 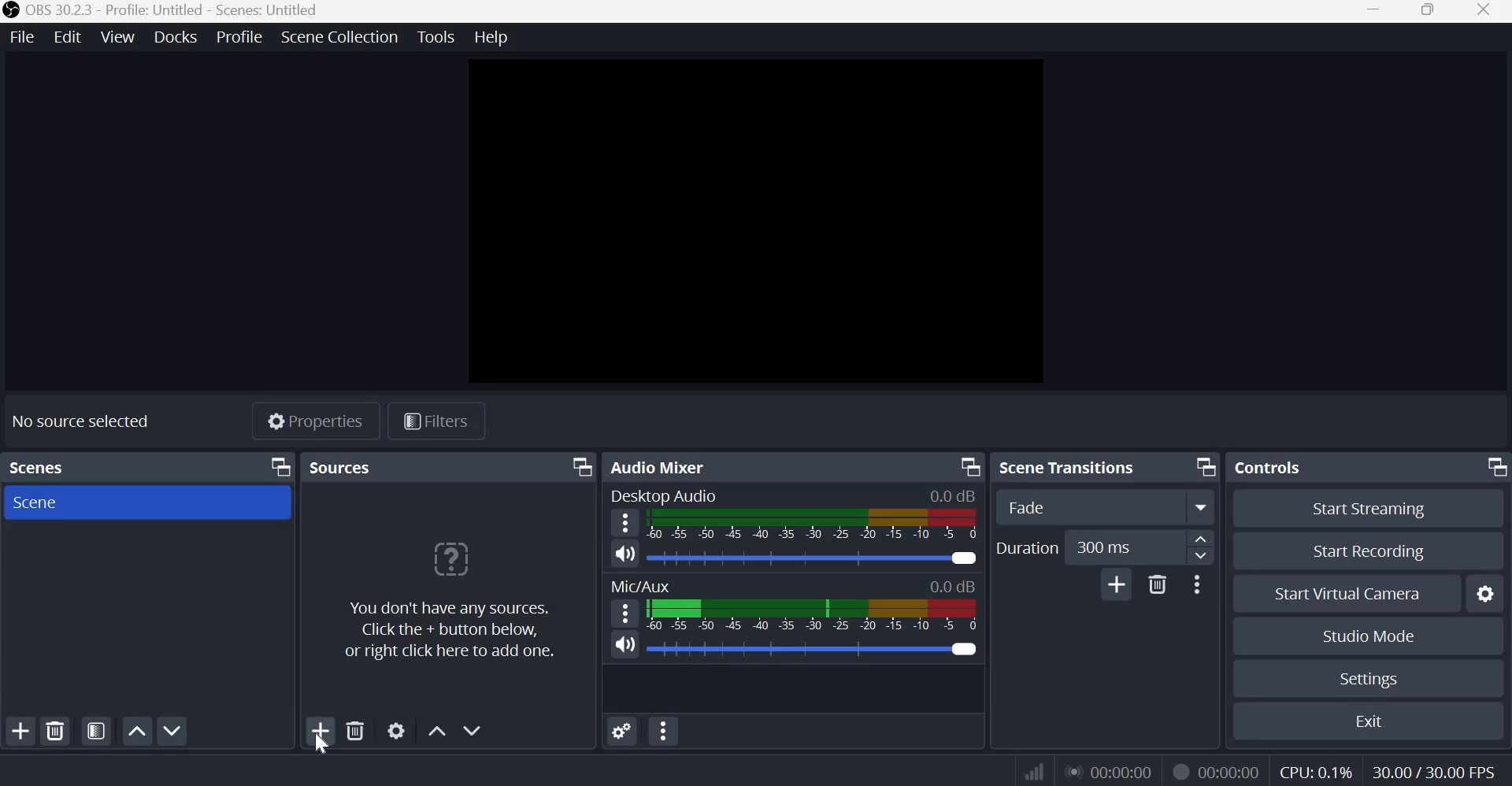 I want to click on 0.0 dB, so click(x=813, y=649).